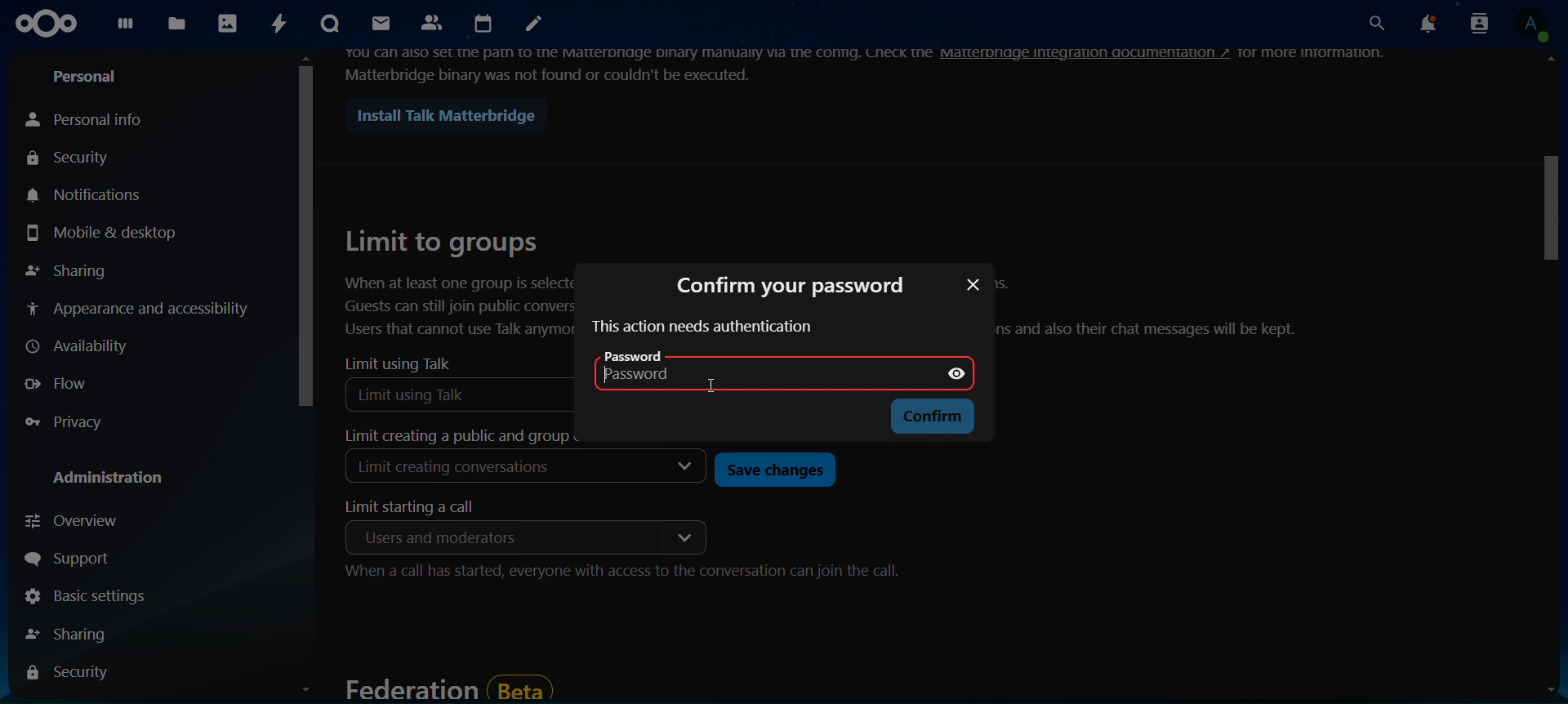 The height and width of the screenshot is (704, 1568). Describe the element at coordinates (71, 673) in the screenshot. I see `security` at that location.